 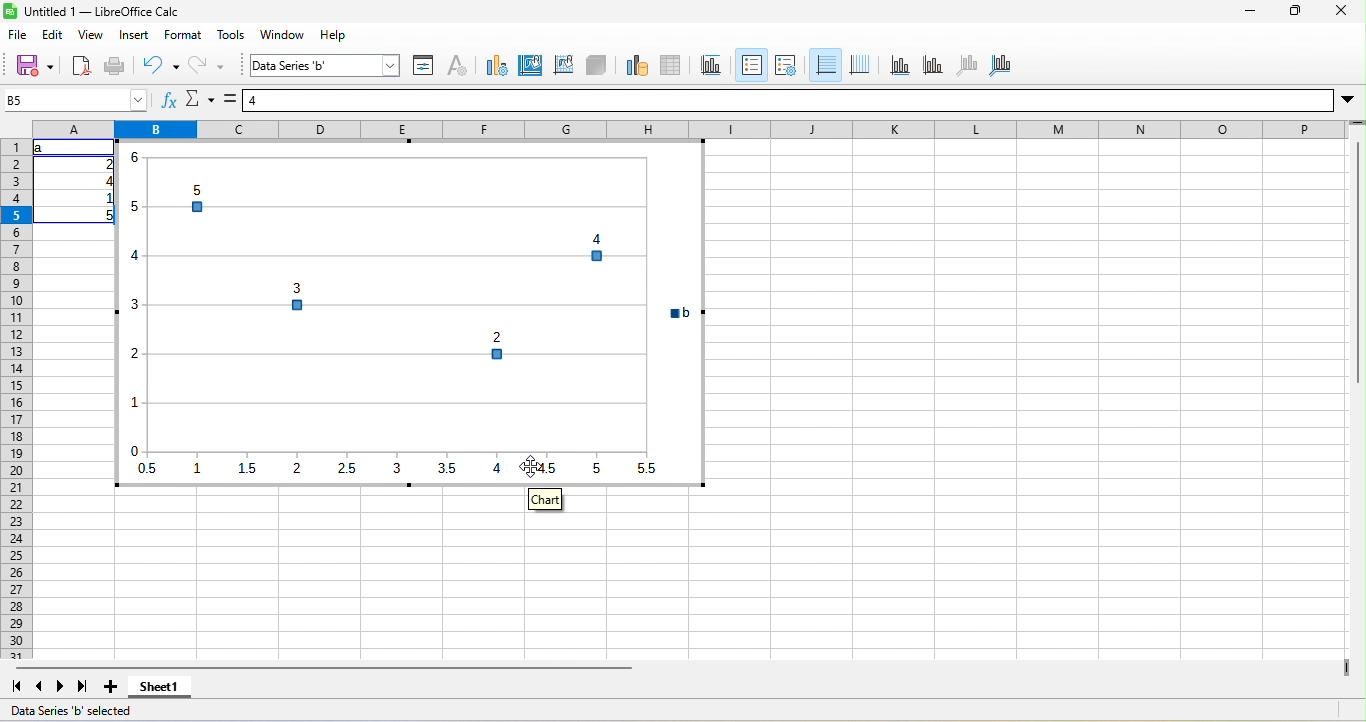 What do you see at coordinates (1348, 101) in the screenshot?
I see `More options` at bounding box center [1348, 101].